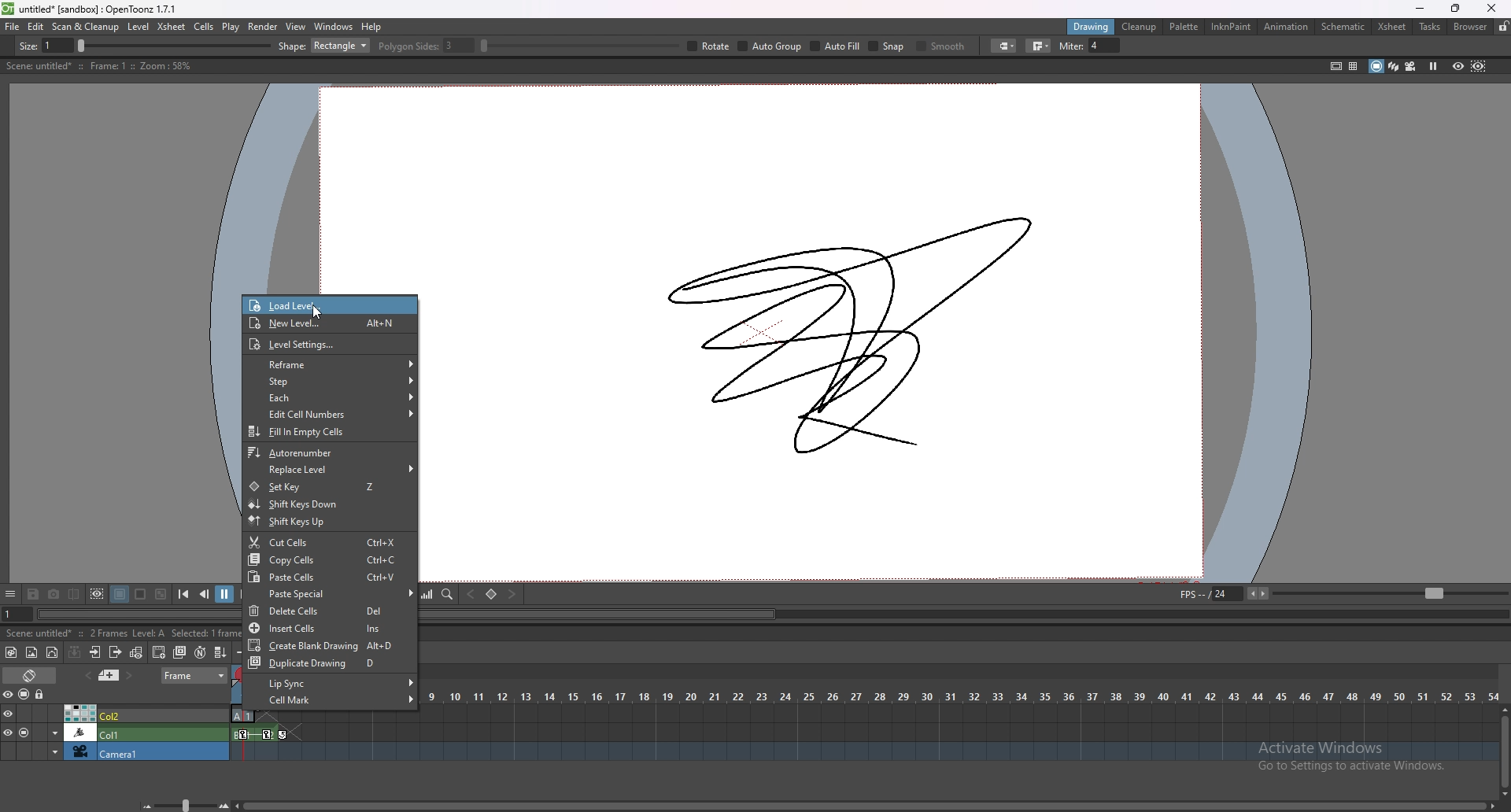  Describe the element at coordinates (243, 652) in the screenshot. I see `decrease step` at that location.